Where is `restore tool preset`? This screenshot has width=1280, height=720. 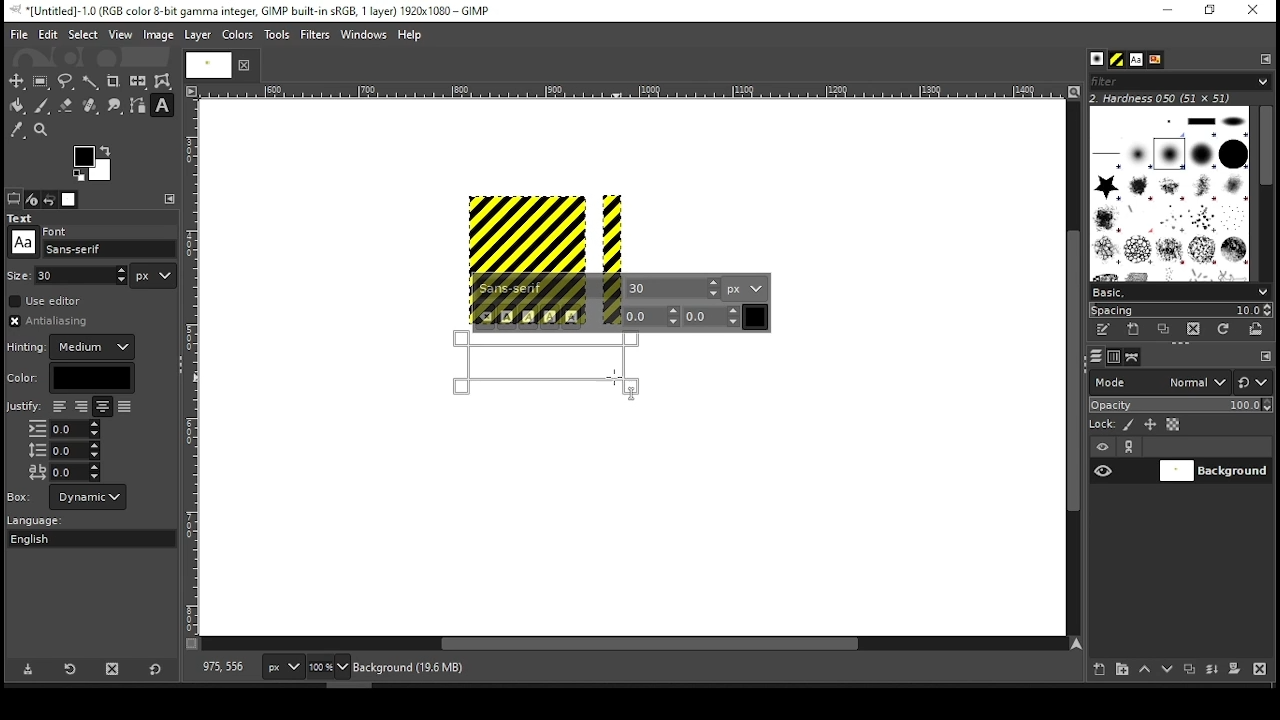
restore tool preset is located at coordinates (72, 667).